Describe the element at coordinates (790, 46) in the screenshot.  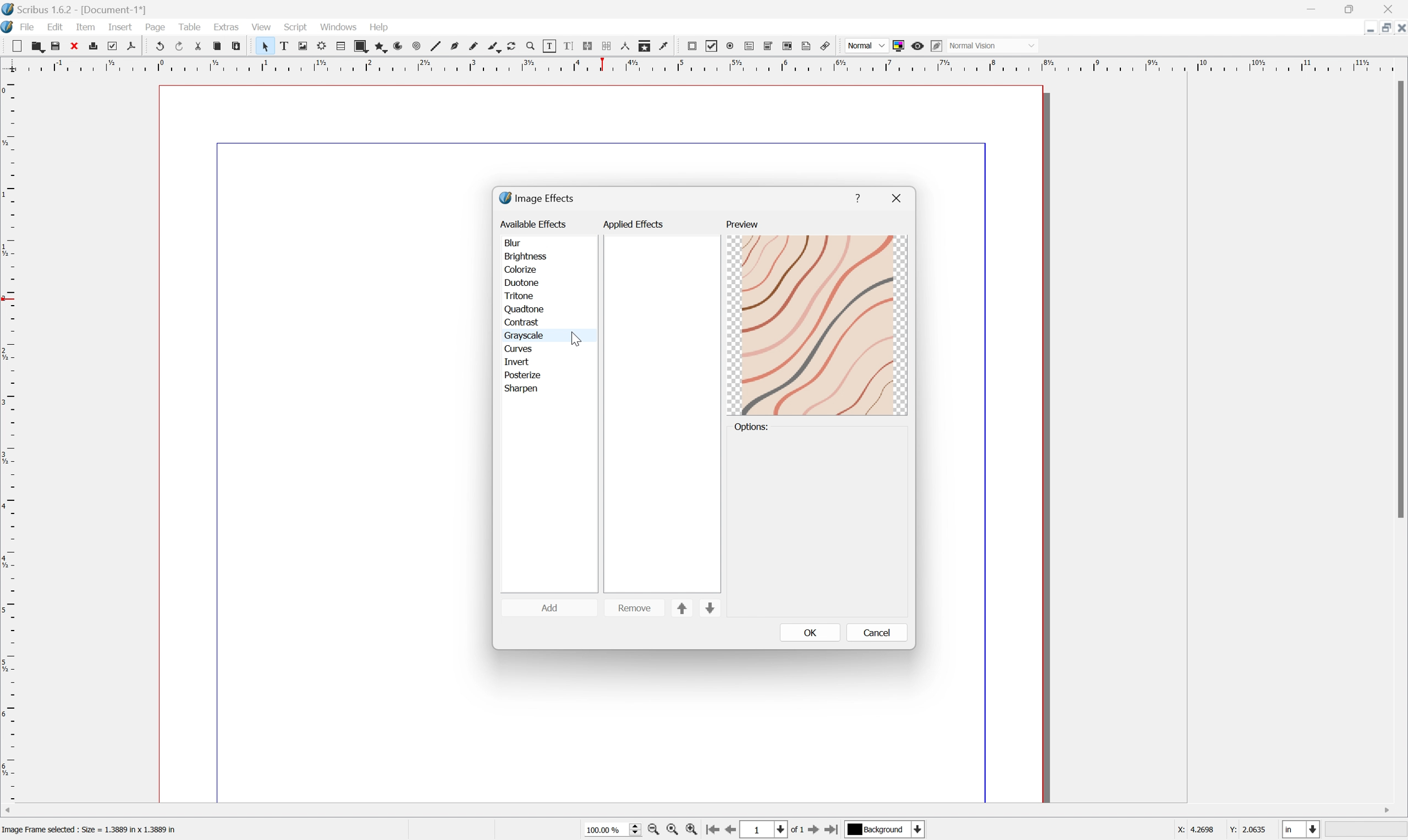
I see `PDF list box` at that location.